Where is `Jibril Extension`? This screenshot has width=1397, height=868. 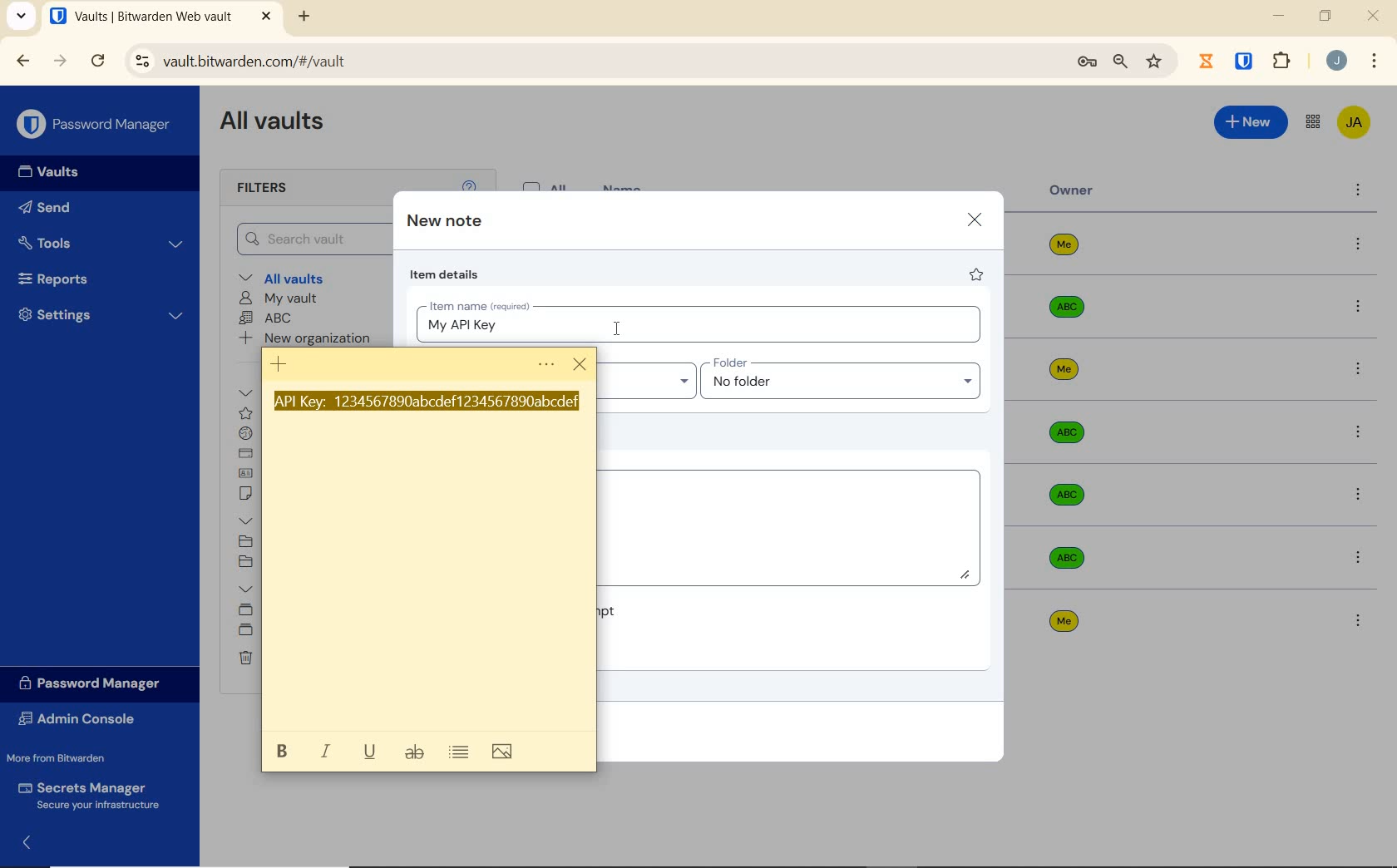 Jibril Extension is located at coordinates (1208, 61).